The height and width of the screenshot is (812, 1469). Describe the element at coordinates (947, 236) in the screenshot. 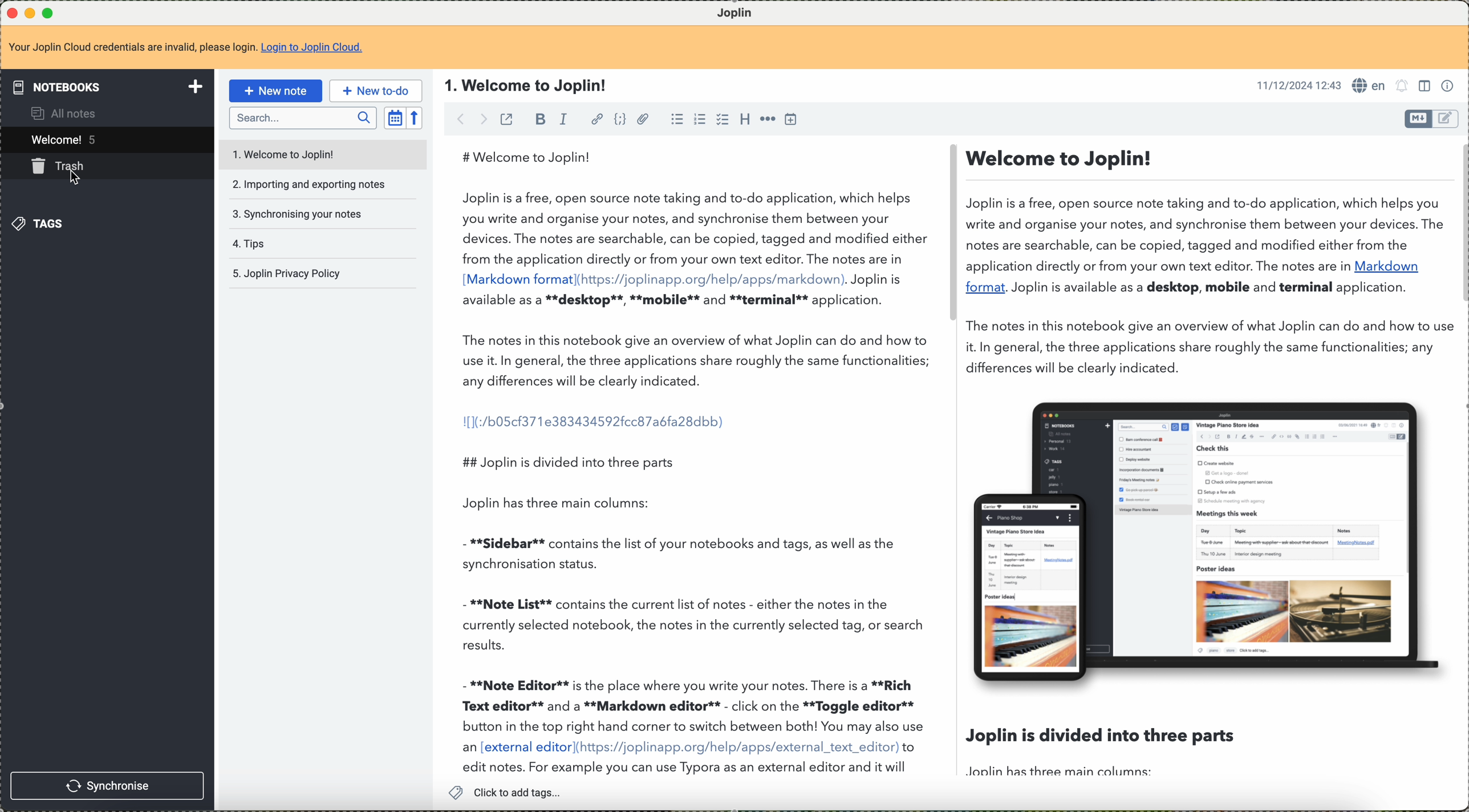

I see `scroll bar` at that location.